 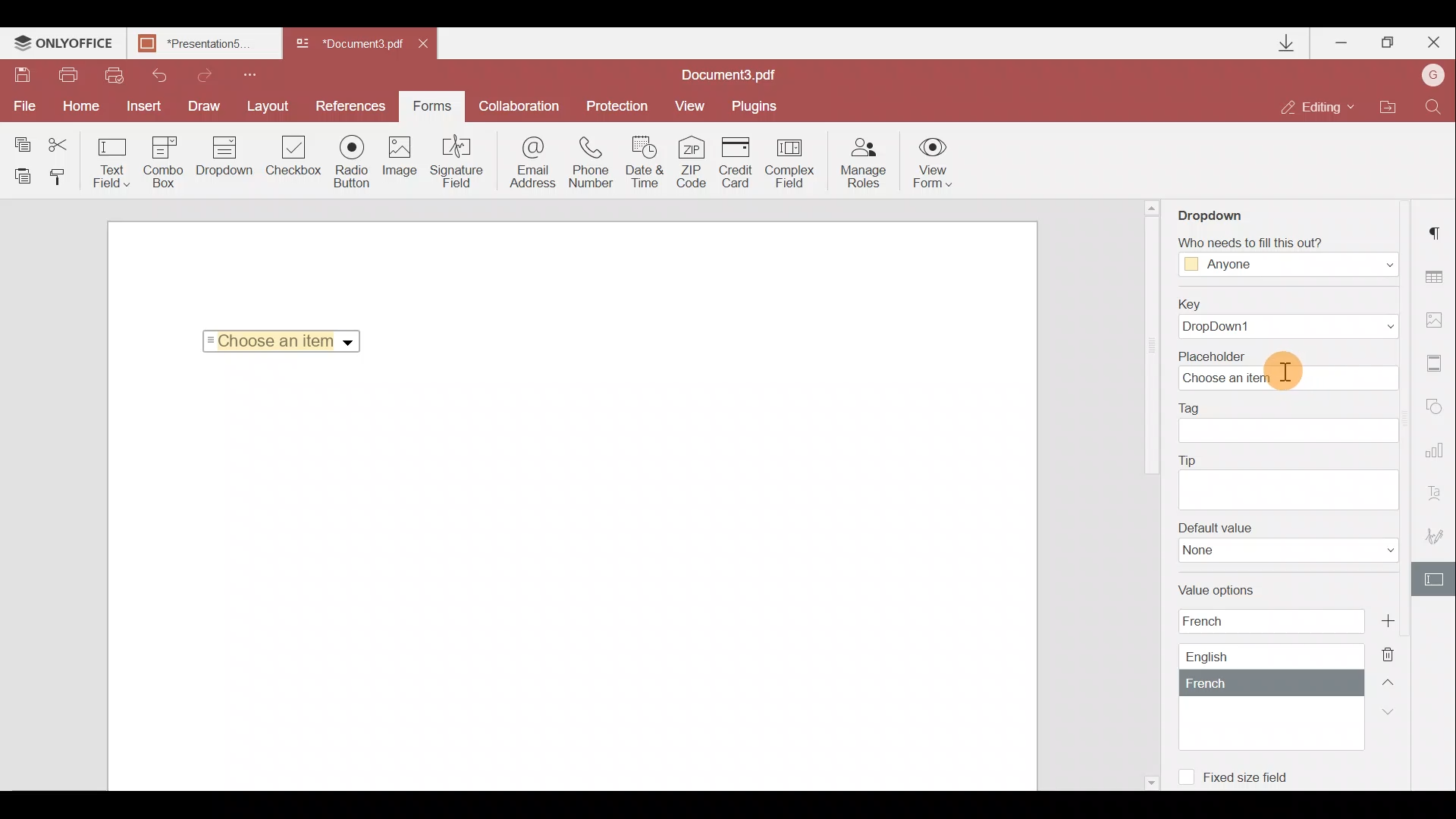 What do you see at coordinates (1288, 43) in the screenshot?
I see `Downloads` at bounding box center [1288, 43].